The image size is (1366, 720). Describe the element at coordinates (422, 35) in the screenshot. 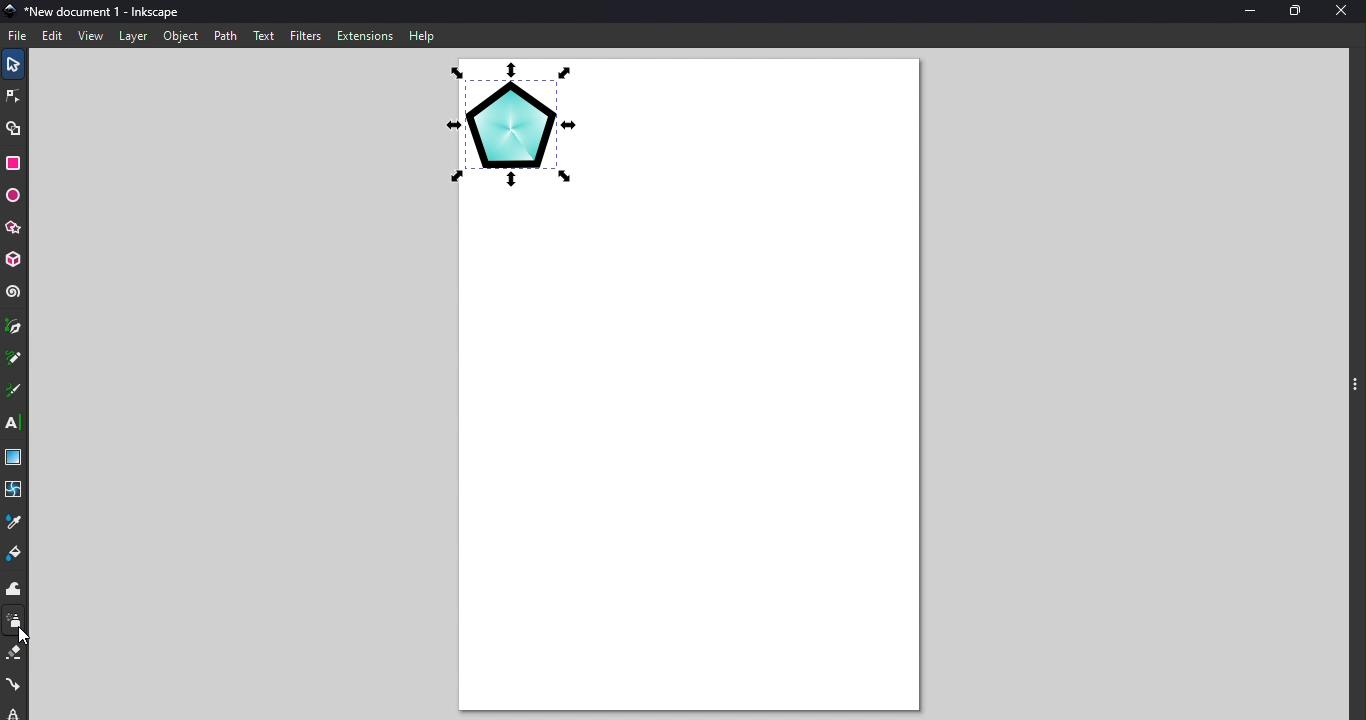

I see `Help` at that location.